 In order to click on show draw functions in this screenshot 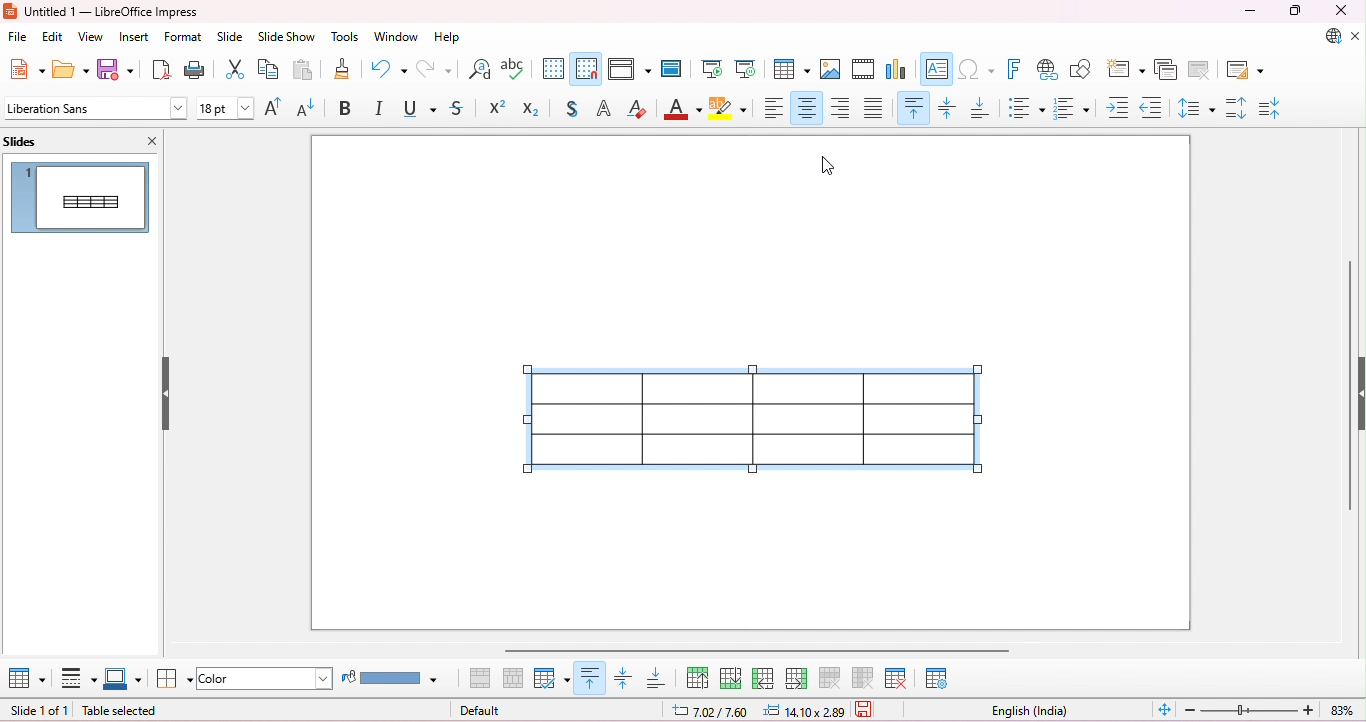, I will do `click(1083, 69)`.